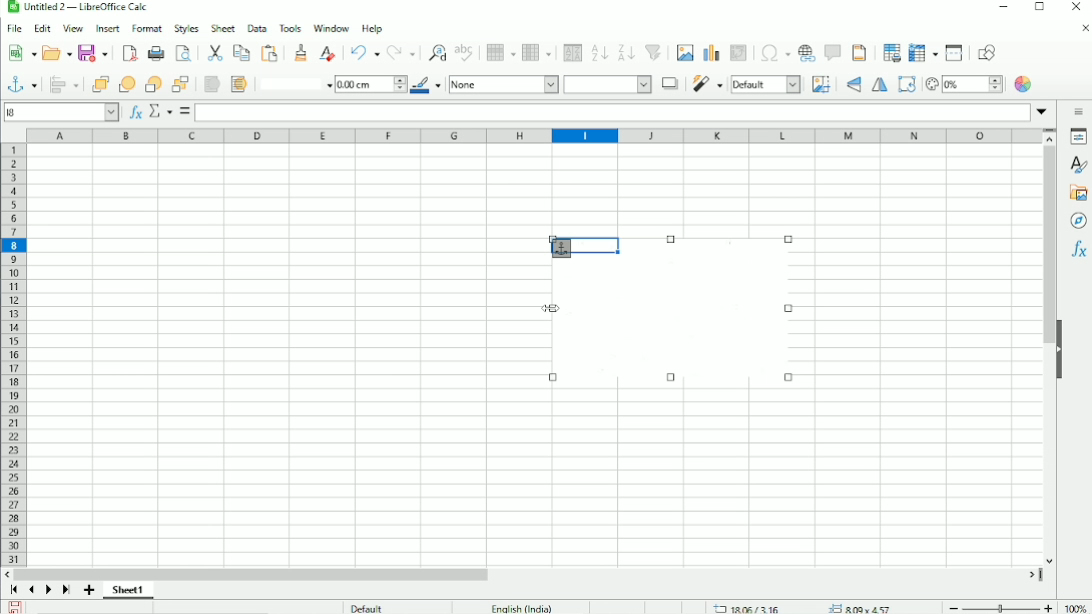 The height and width of the screenshot is (614, 1092). I want to click on Scroll to first sheet, so click(14, 590).